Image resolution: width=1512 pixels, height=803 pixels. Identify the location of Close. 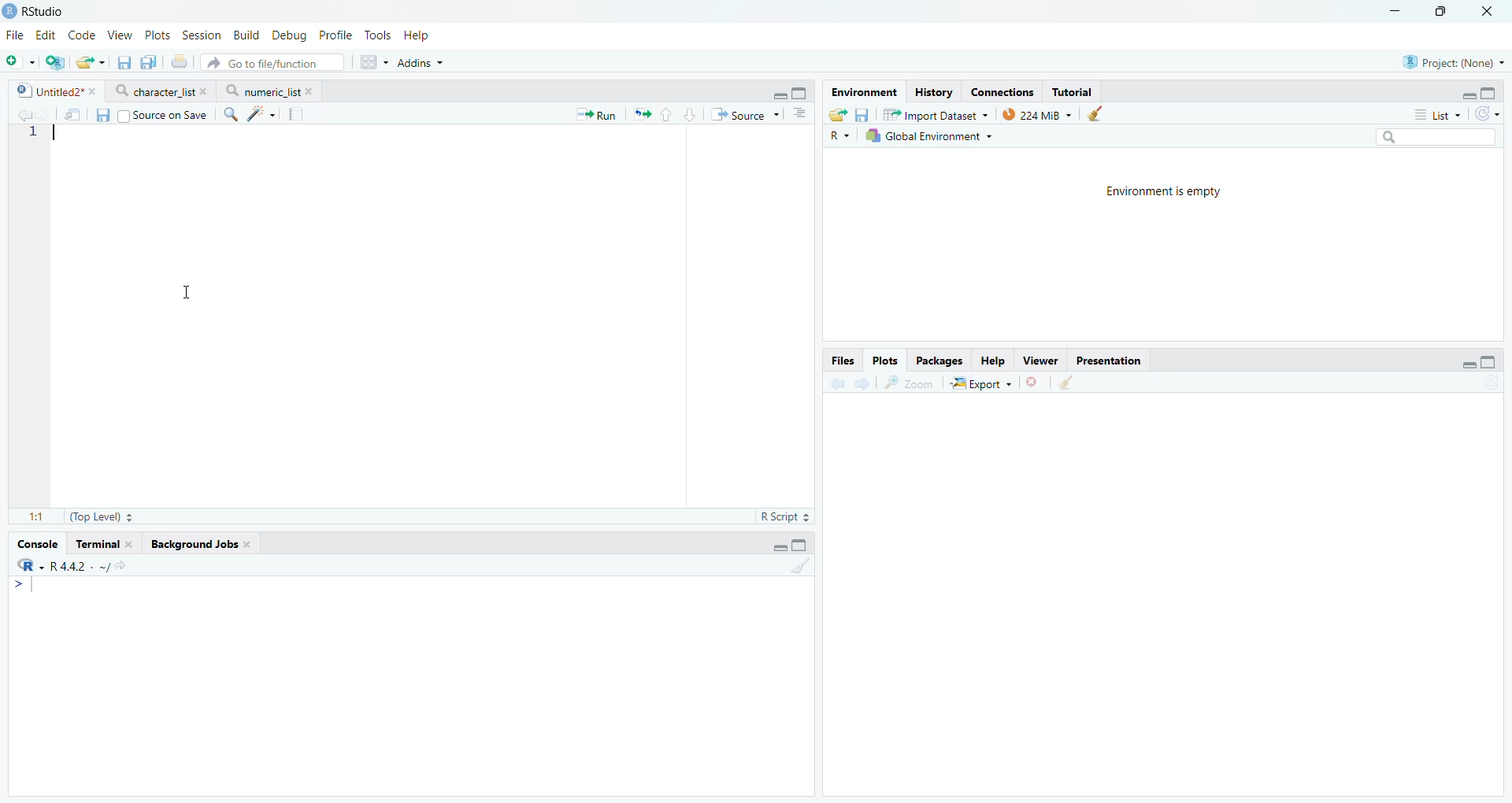
(1490, 11).